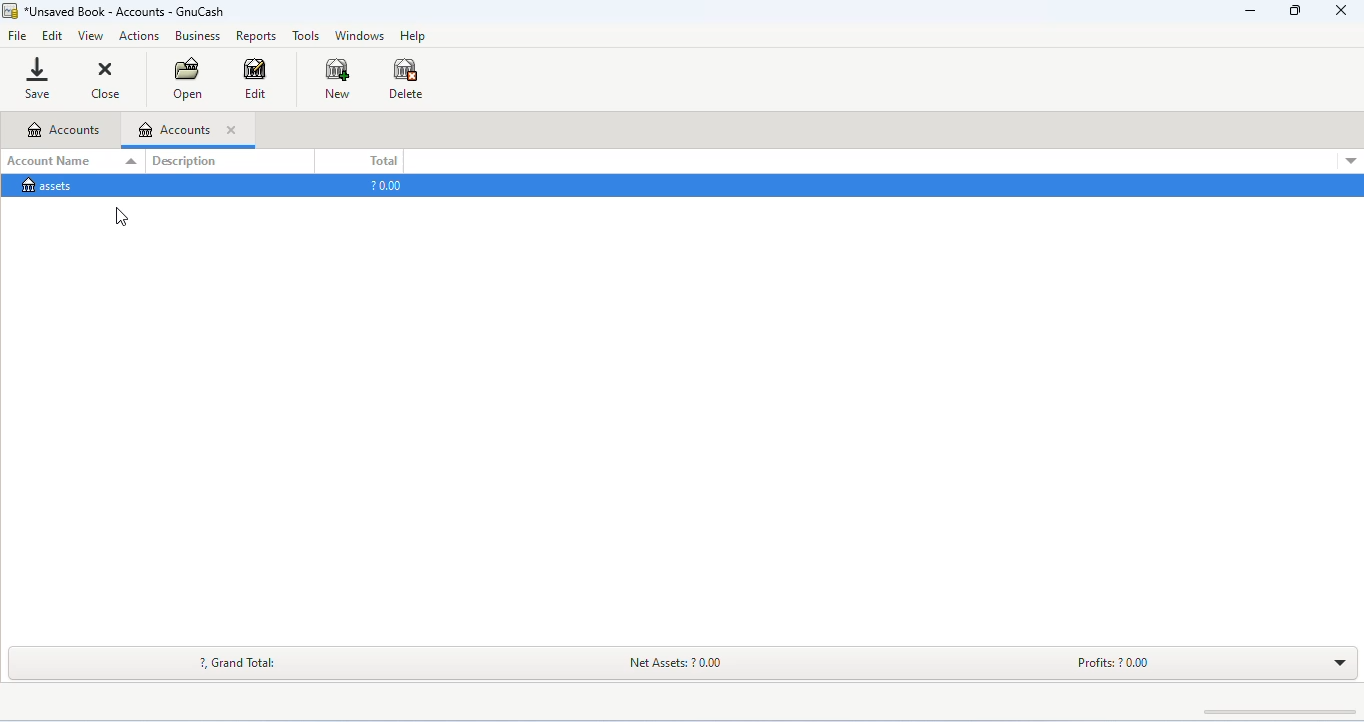 The image size is (1364, 722). Describe the element at coordinates (197, 36) in the screenshot. I see `business` at that location.